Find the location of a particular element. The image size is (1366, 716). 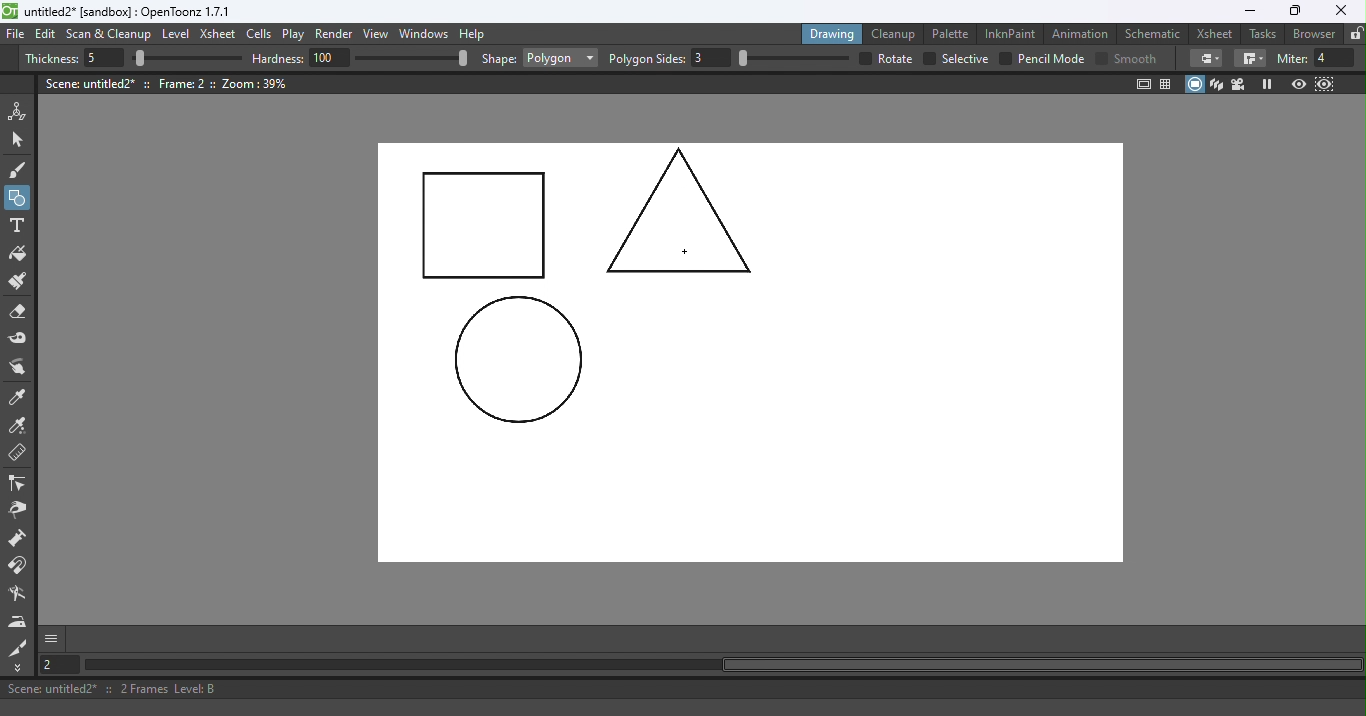

Fill tool is located at coordinates (18, 256).